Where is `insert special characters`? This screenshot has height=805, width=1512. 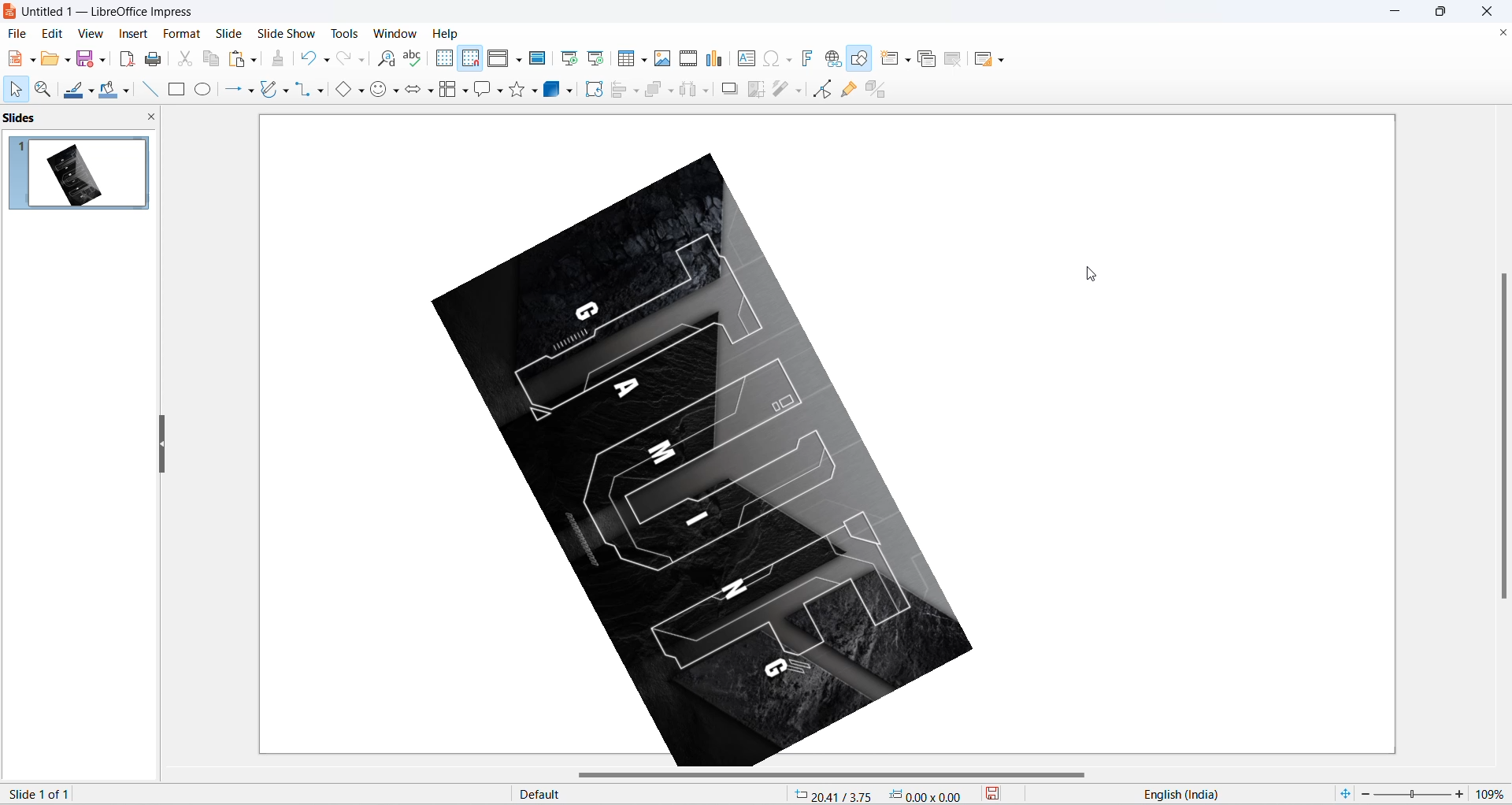 insert special characters is located at coordinates (769, 57).